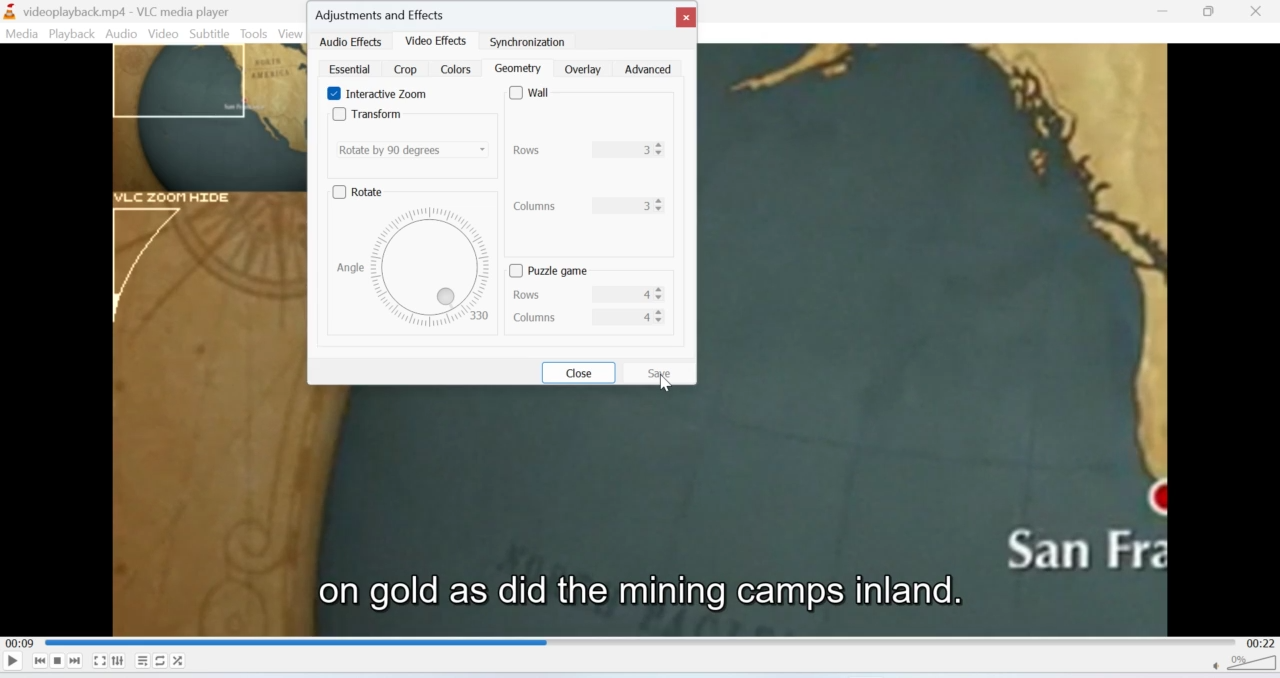 Image resolution: width=1280 pixels, height=678 pixels. I want to click on Seek forward, so click(76, 661).